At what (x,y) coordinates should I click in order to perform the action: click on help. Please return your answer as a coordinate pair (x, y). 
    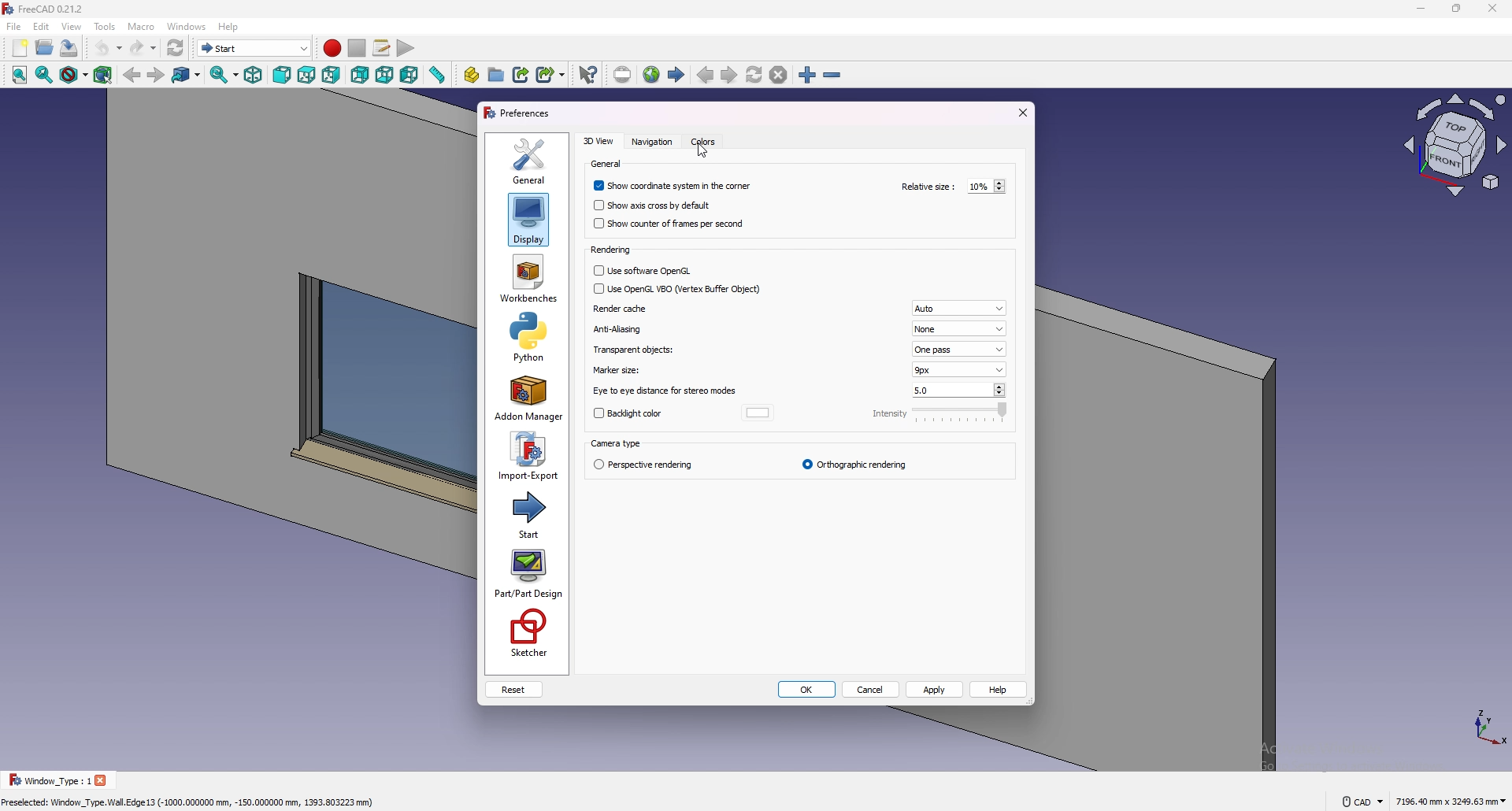
    Looking at the image, I should click on (999, 690).